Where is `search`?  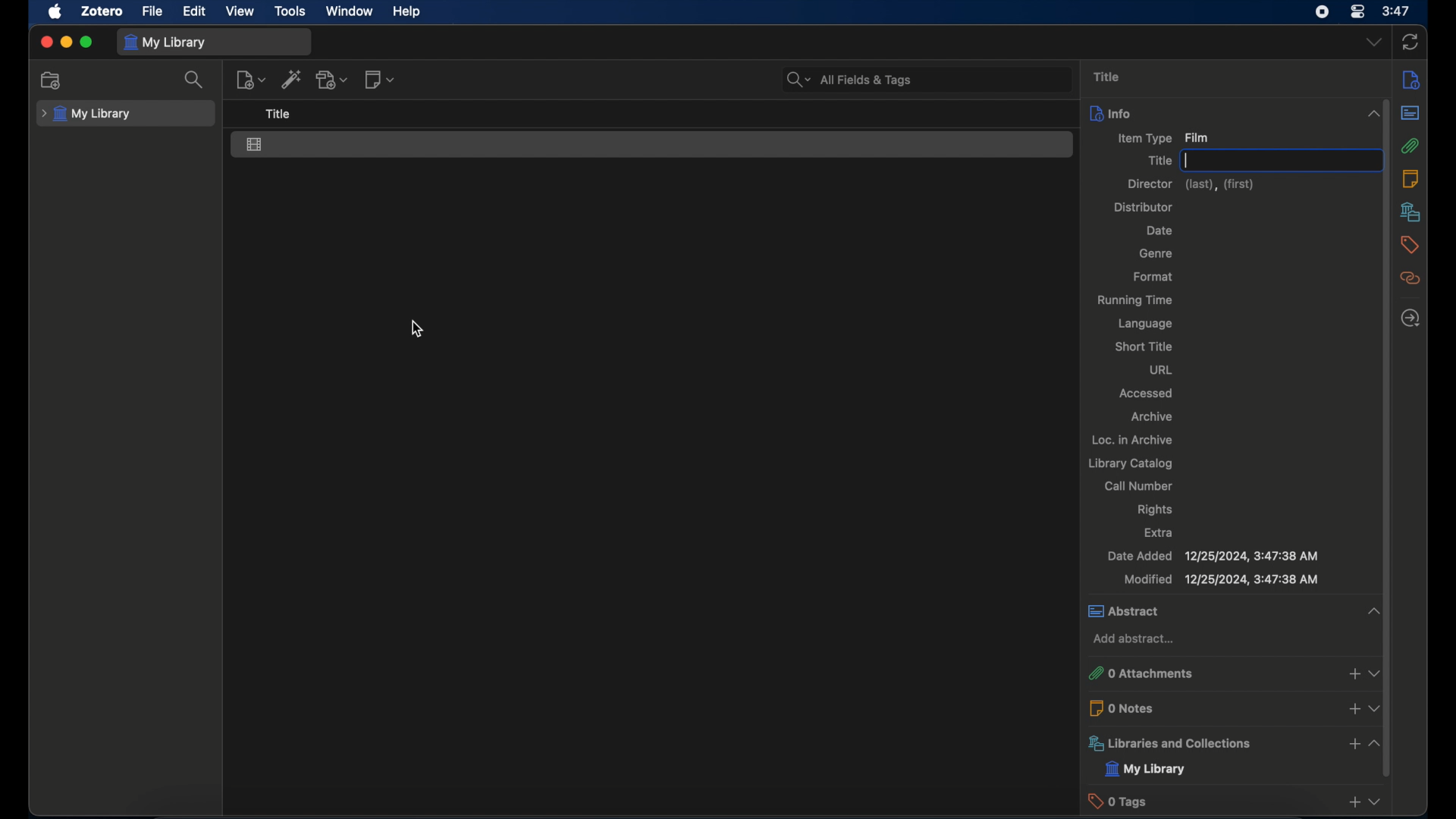 search is located at coordinates (197, 80).